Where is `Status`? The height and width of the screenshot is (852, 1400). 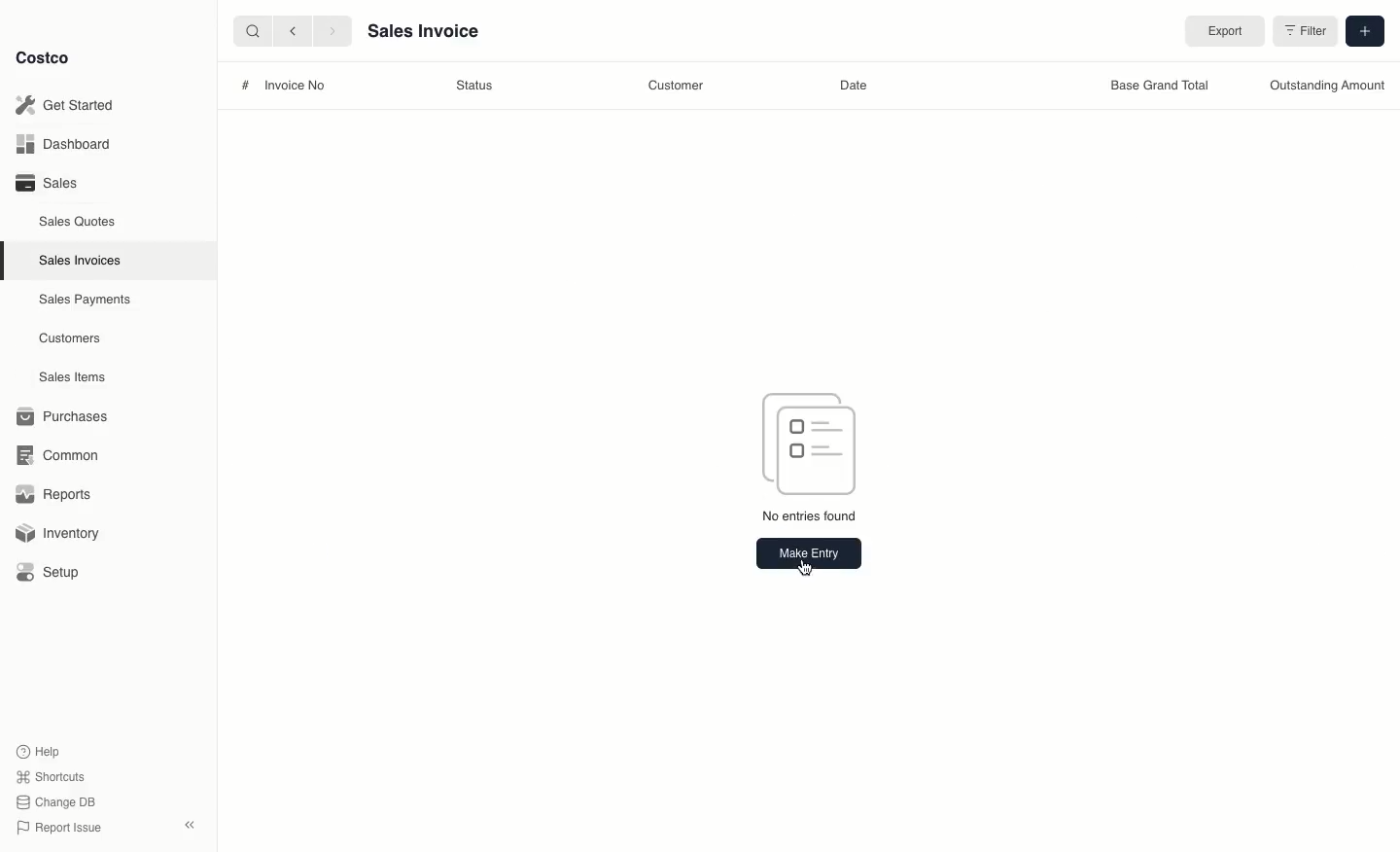 Status is located at coordinates (473, 86).